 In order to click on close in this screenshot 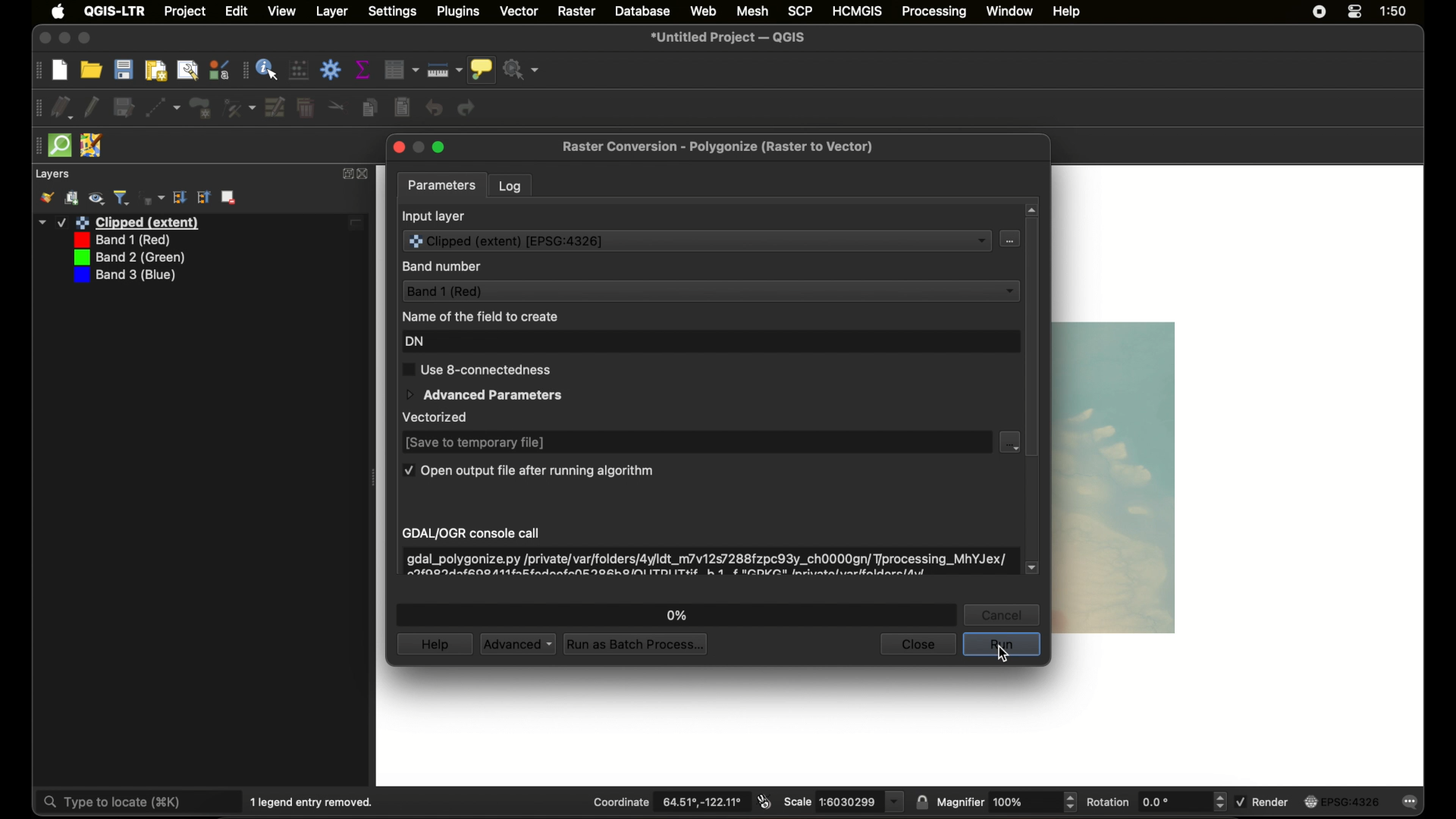, I will do `click(366, 174)`.